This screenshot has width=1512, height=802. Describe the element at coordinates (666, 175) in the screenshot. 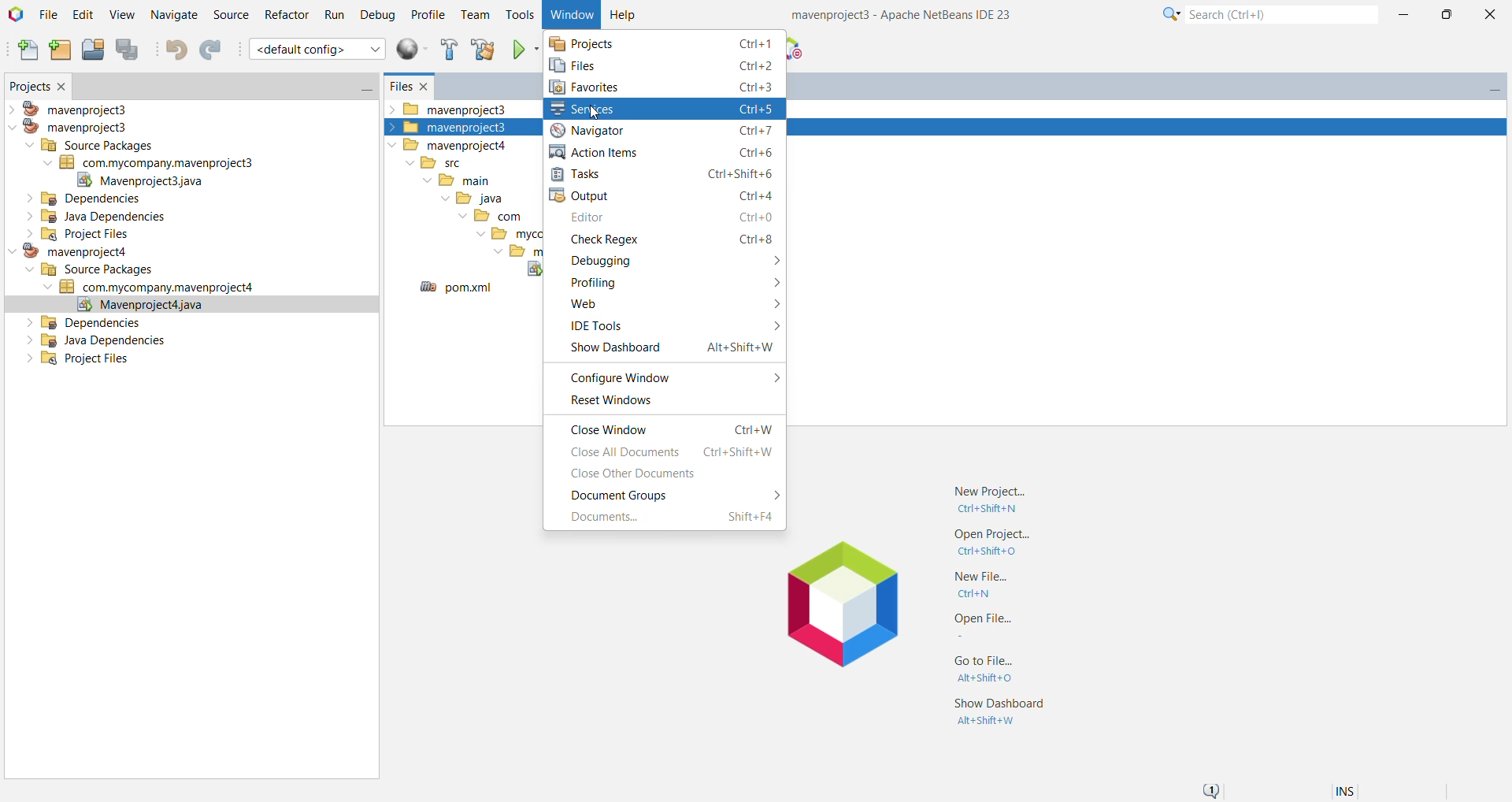

I see `Tasks` at that location.